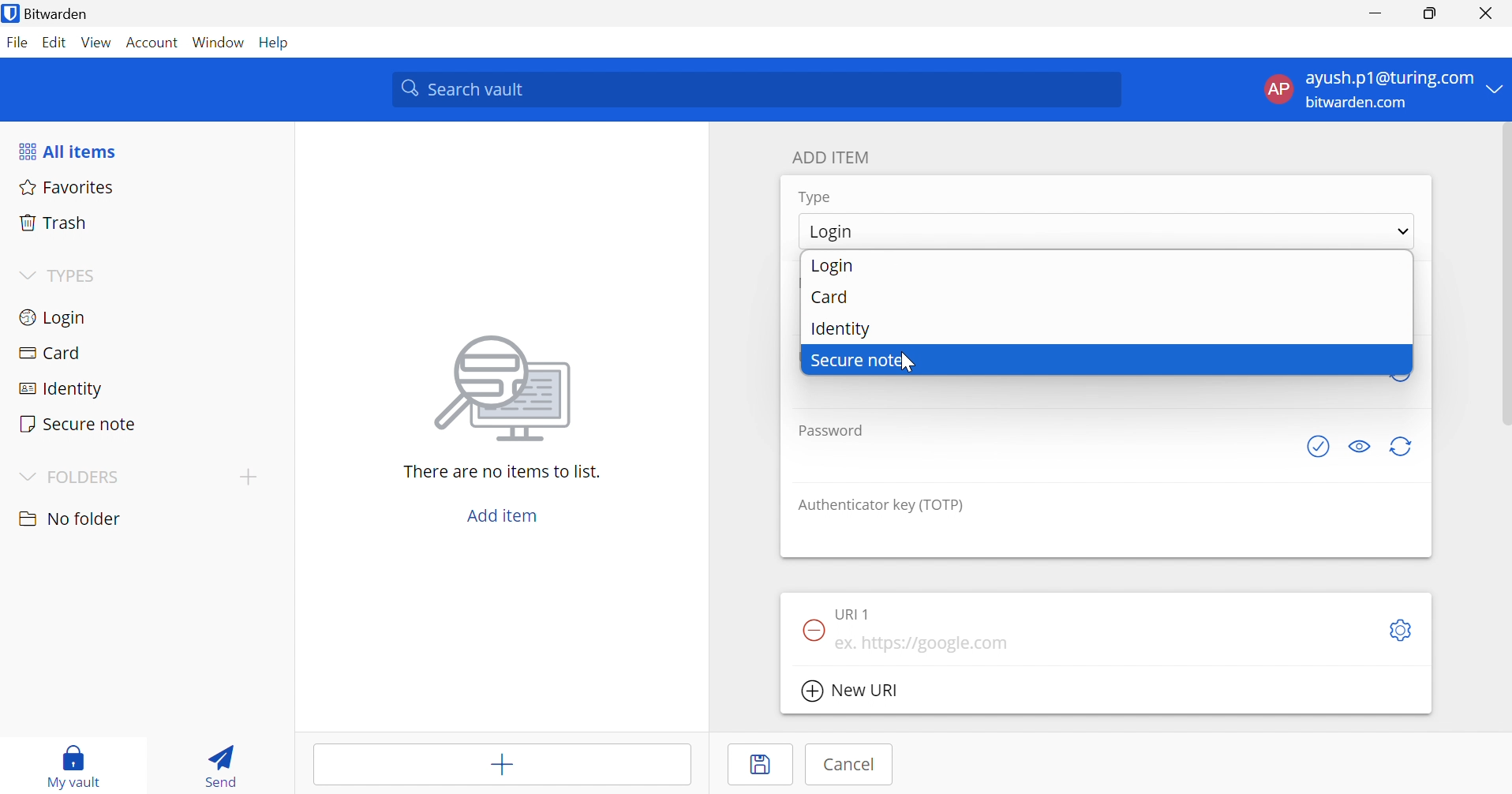  What do you see at coordinates (249, 477) in the screenshot?
I see `Create folder` at bounding box center [249, 477].